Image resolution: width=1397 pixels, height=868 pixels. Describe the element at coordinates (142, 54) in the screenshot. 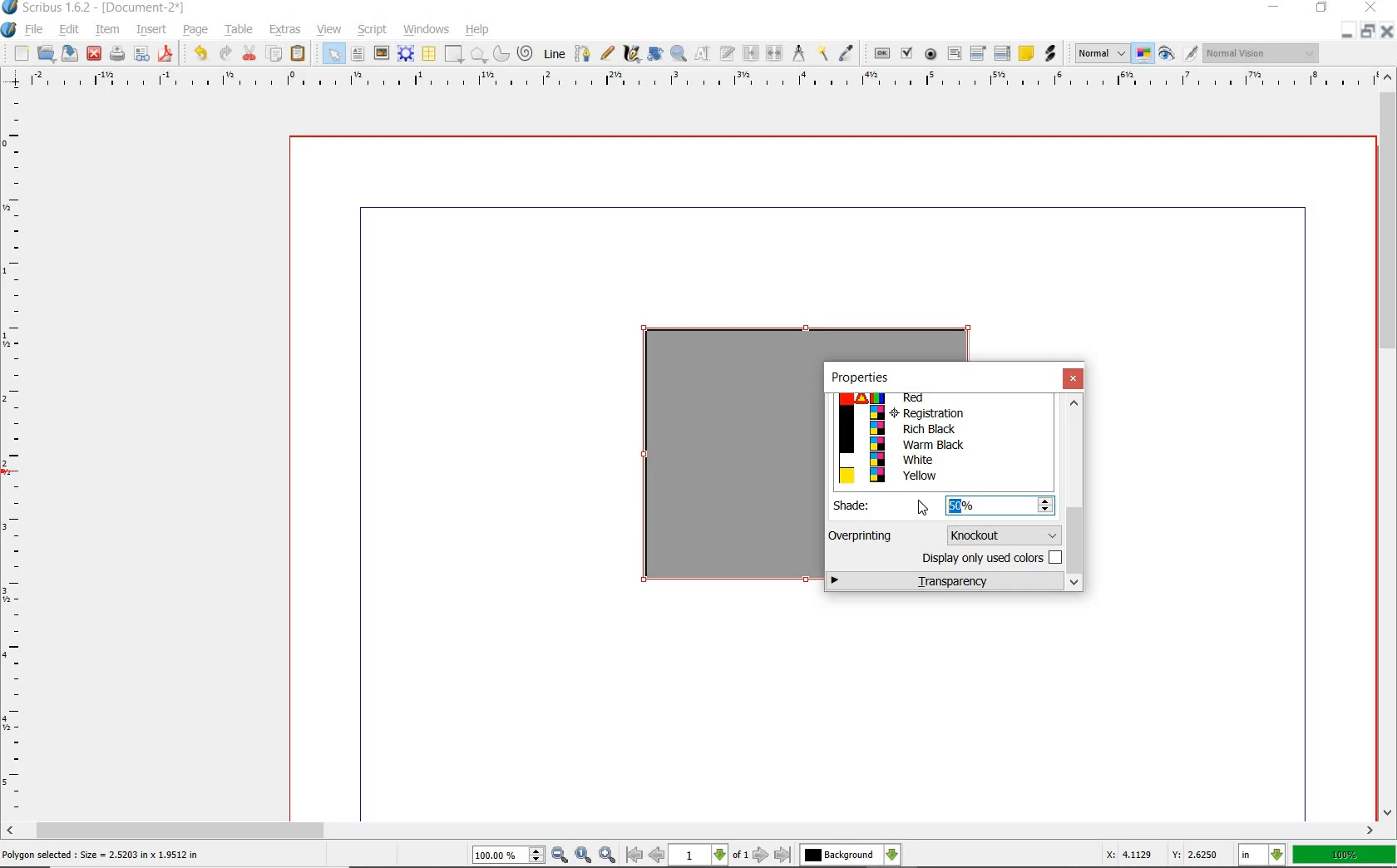

I see `preflight verifier` at that location.